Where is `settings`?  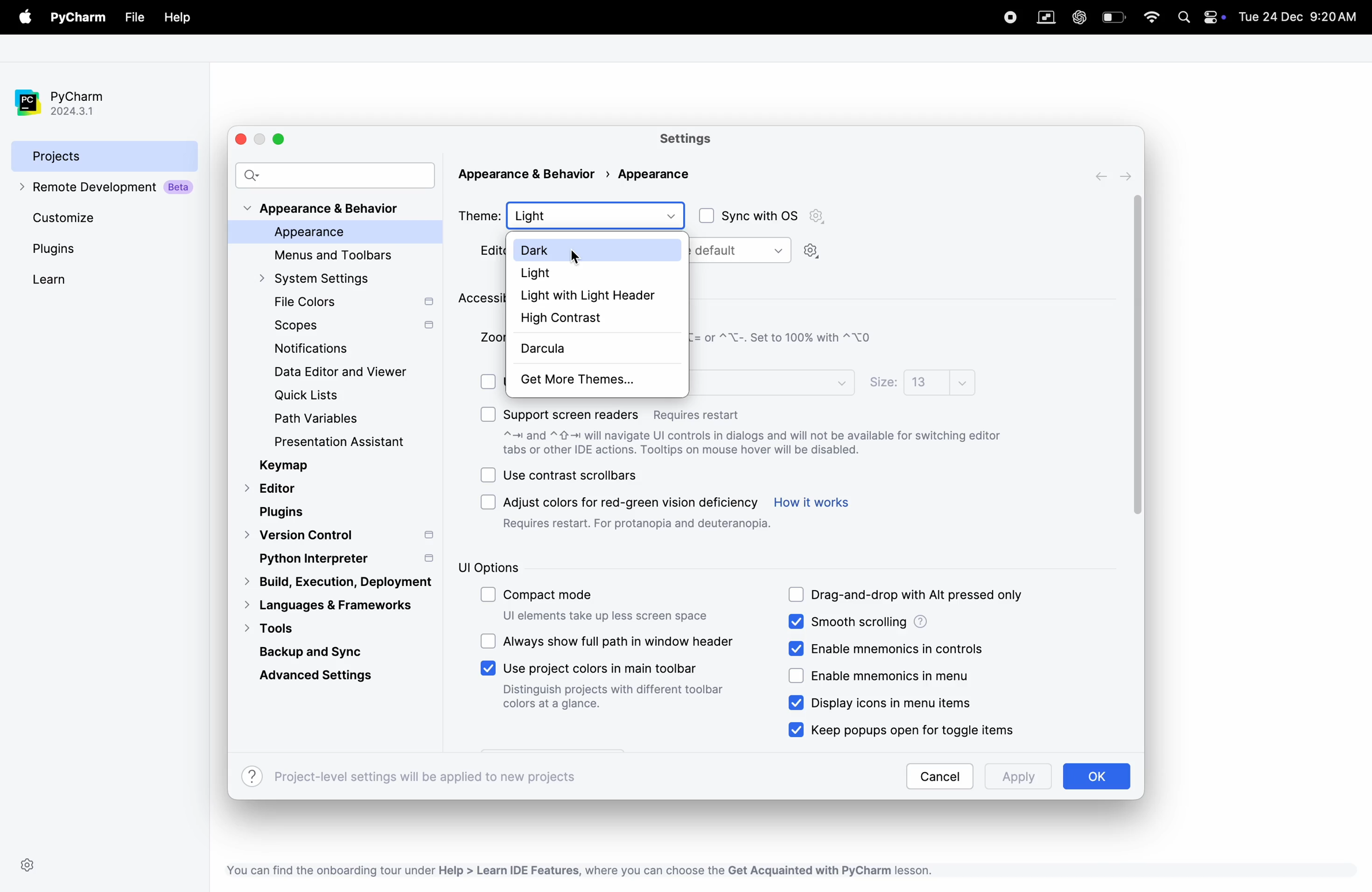 settings is located at coordinates (691, 139).